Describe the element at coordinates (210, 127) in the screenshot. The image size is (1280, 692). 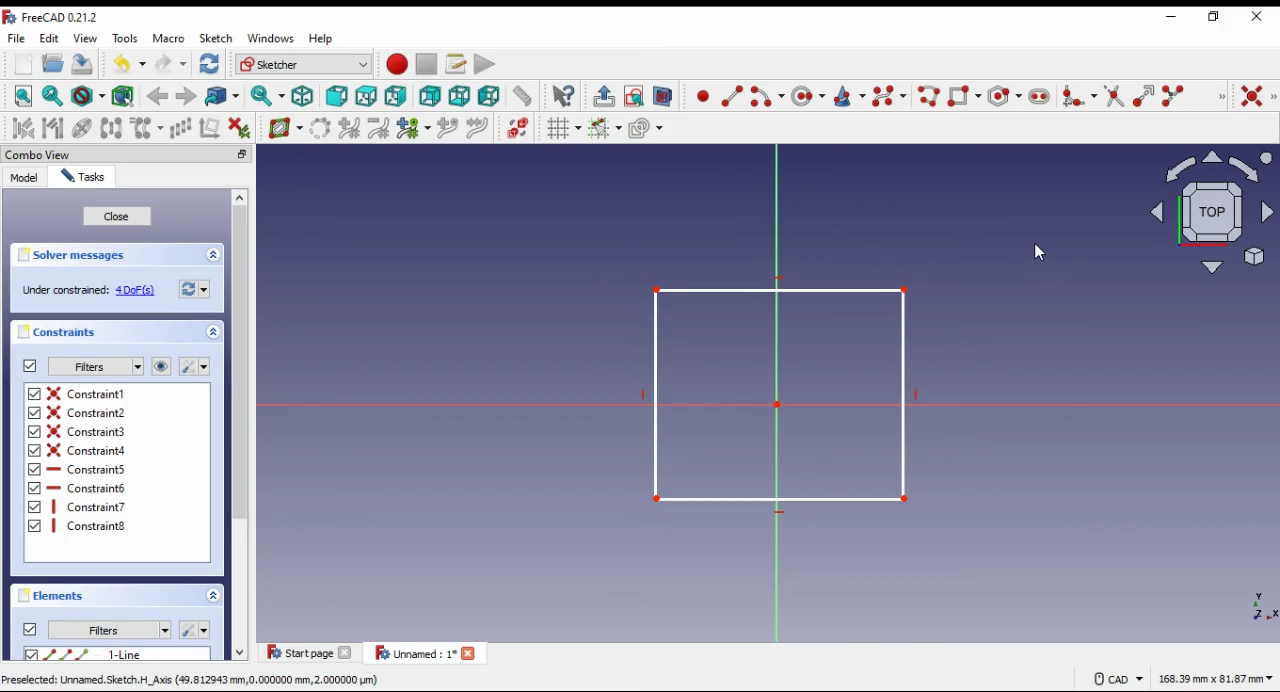
I see `remove all axes alignment` at that location.